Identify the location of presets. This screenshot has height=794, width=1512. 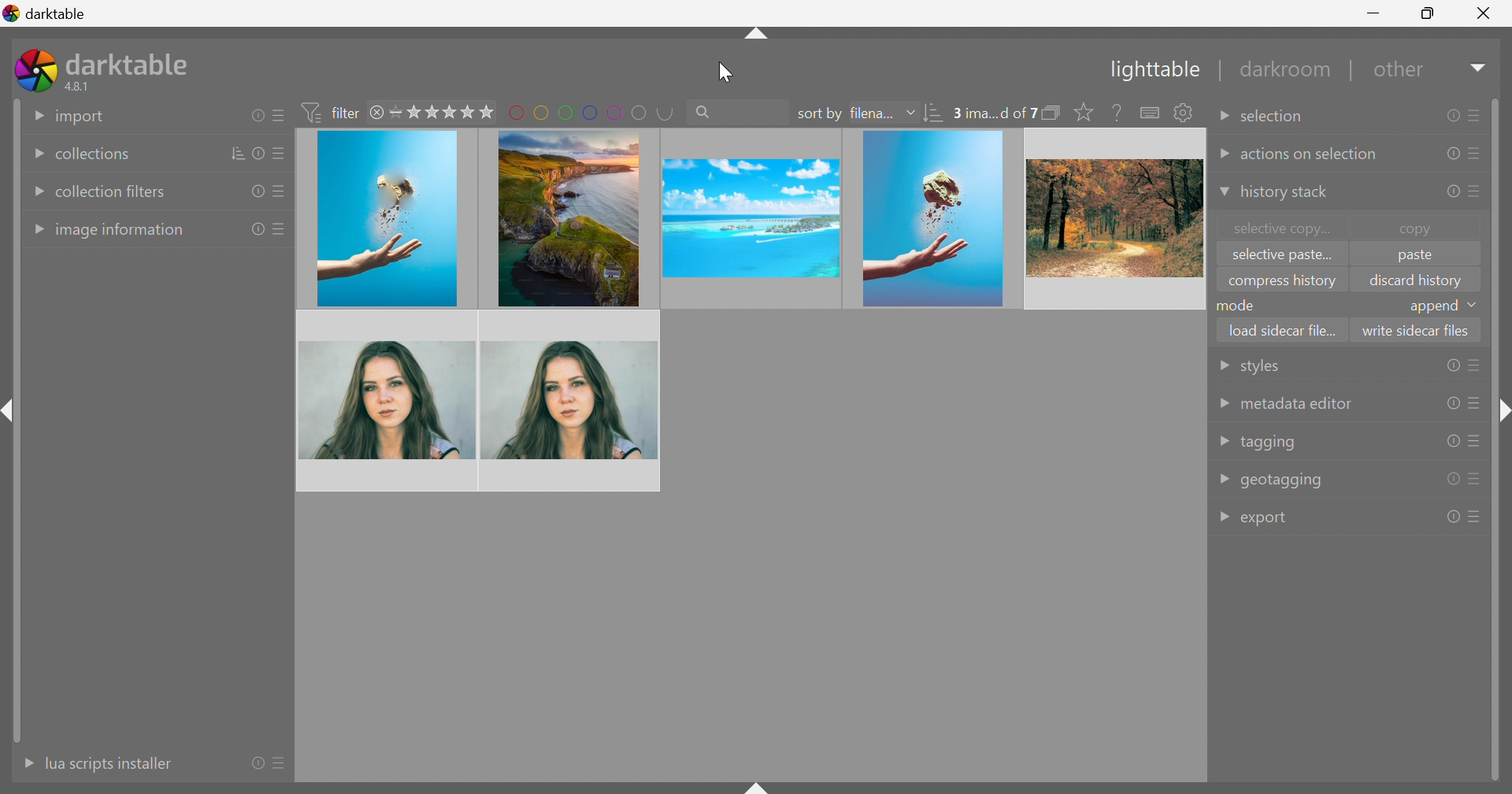
(1477, 477).